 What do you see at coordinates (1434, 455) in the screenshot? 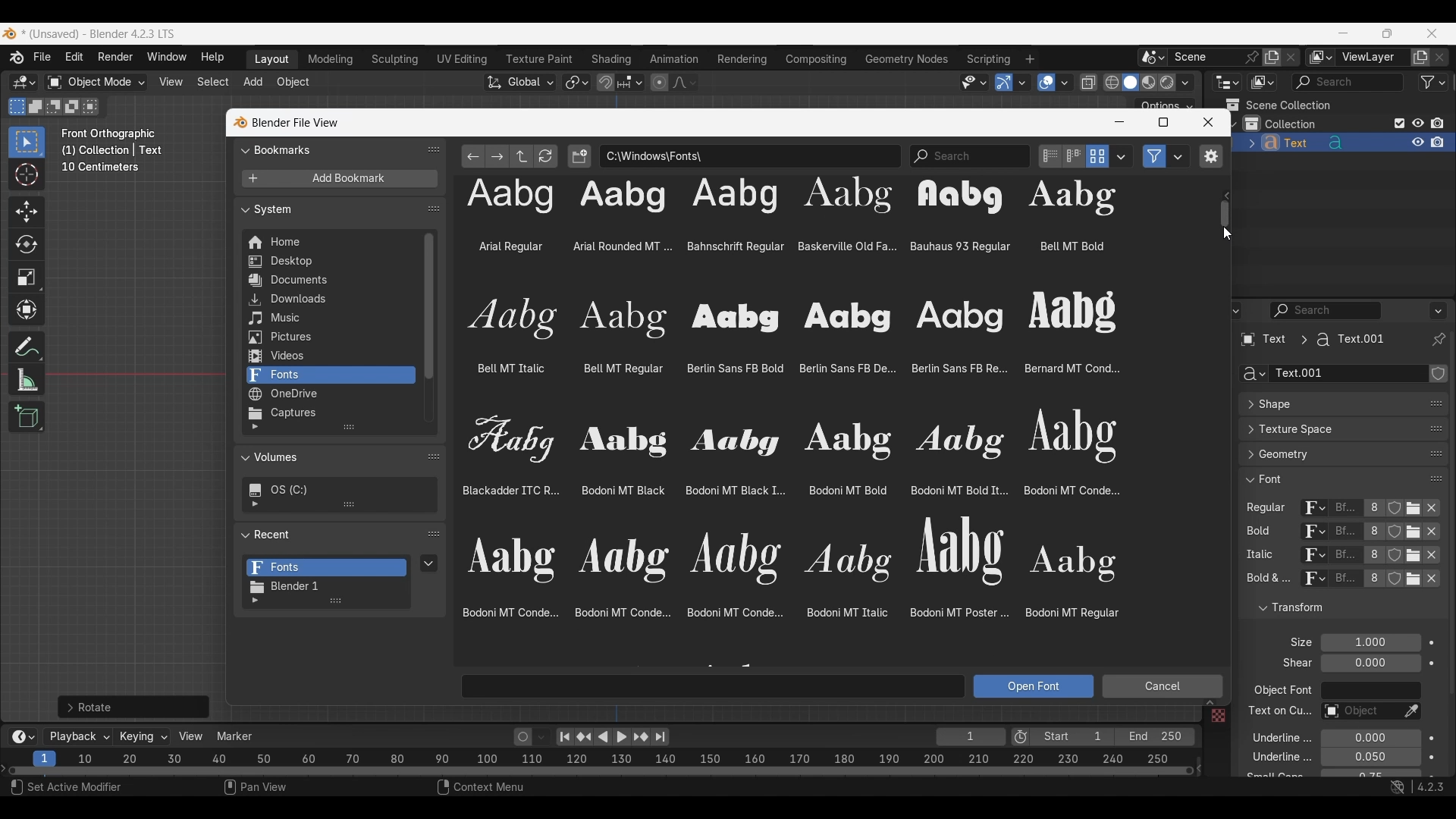
I see `change position` at bounding box center [1434, 455].